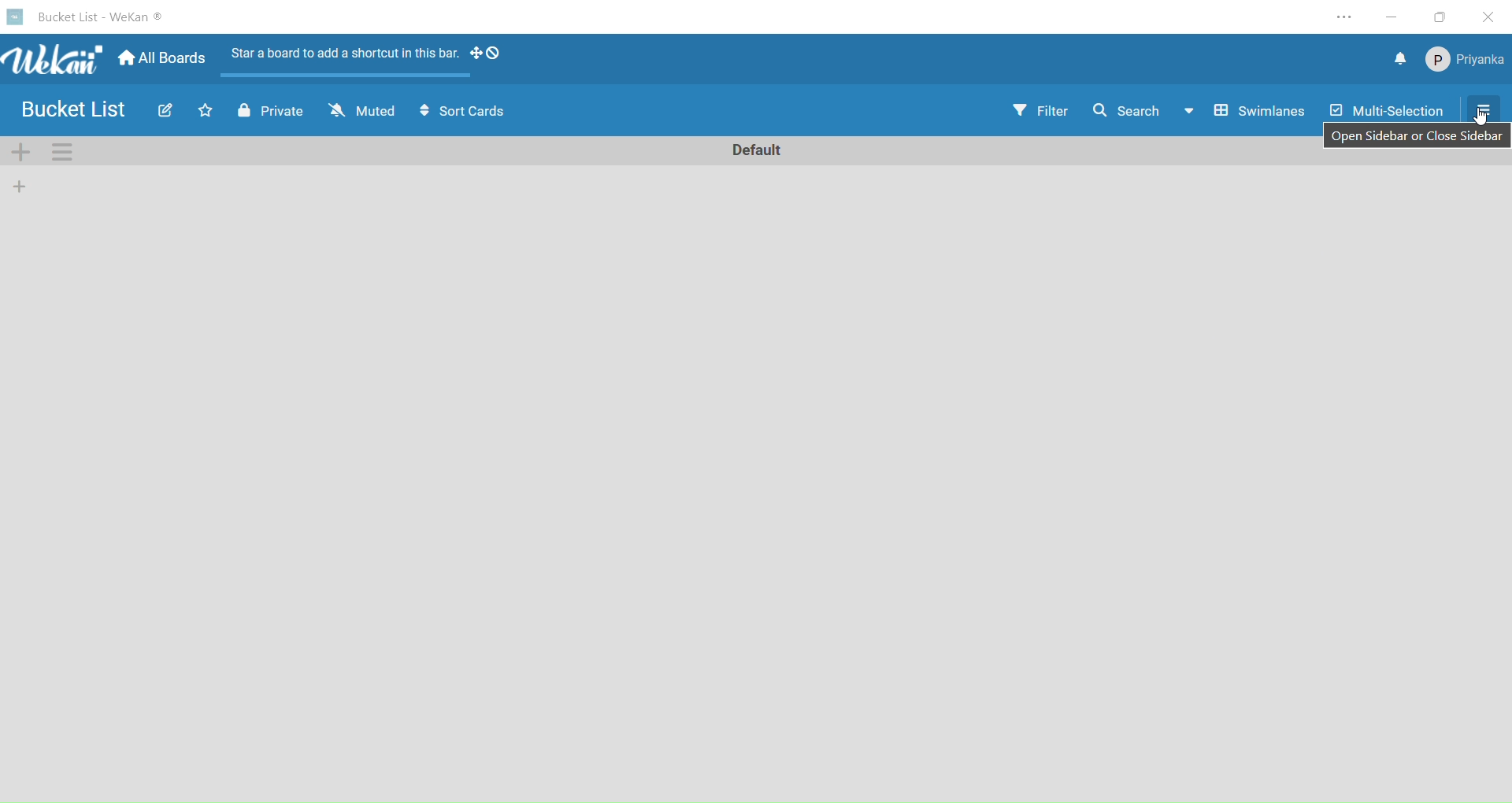 This screenshot has width=1512, height=803. Describe the element at coordinates (1400, 58) in the screenshot. I see `notifications` at that location.